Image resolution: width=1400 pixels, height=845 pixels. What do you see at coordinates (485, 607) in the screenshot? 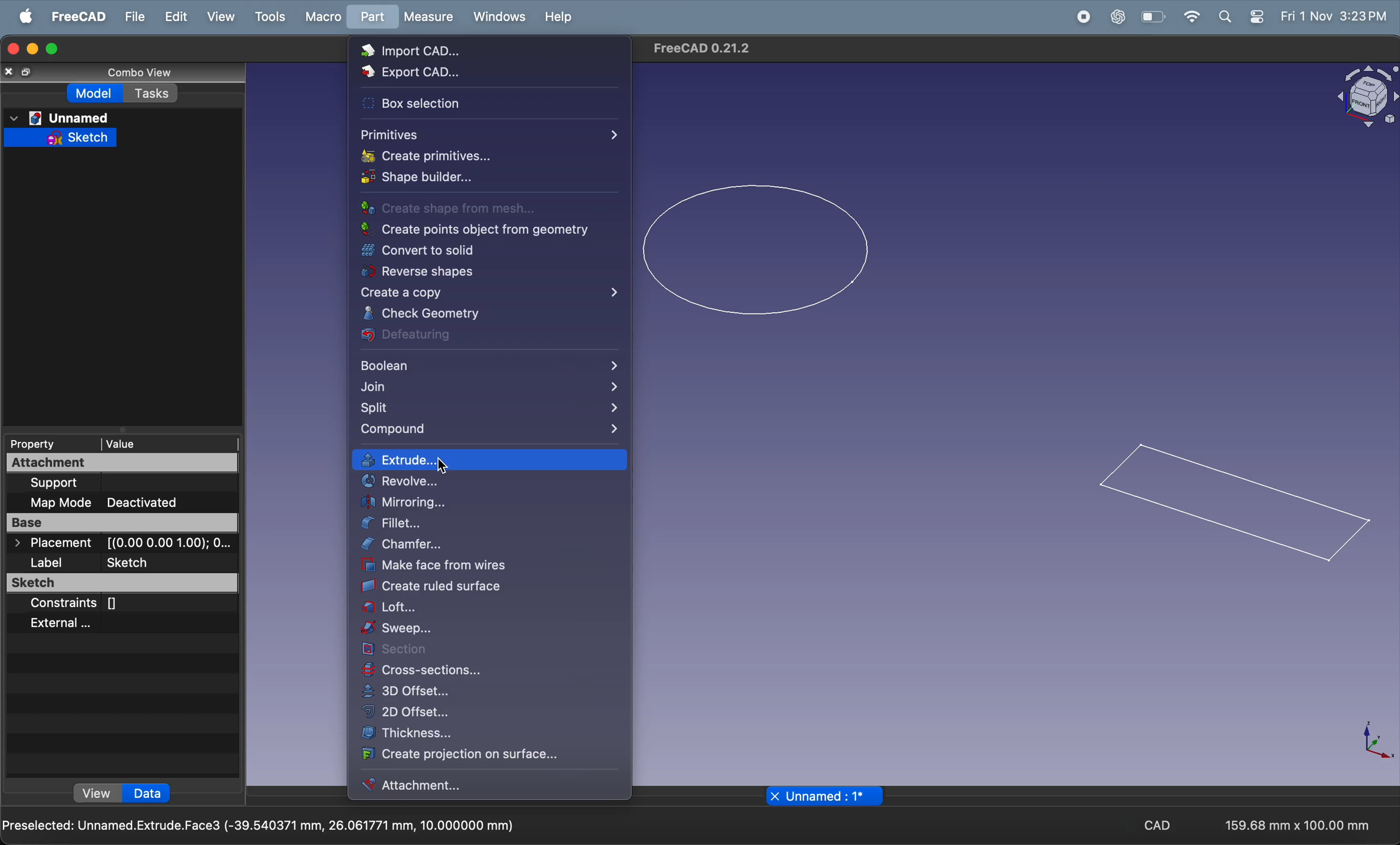
I see `Loft...` at bounding box center [485, 607].